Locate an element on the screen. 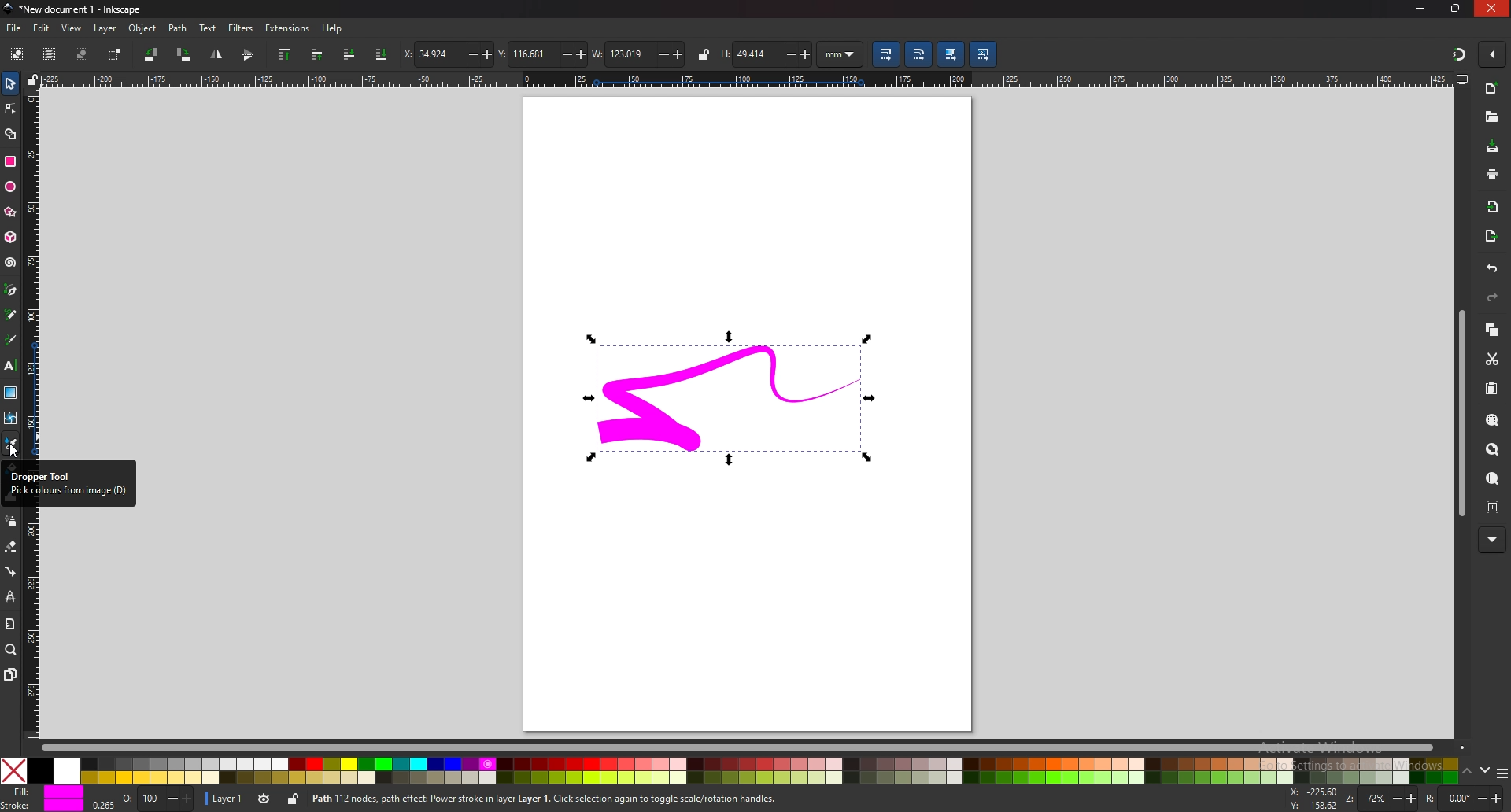 Image resolution: width=1511 pixels, height=812 pixels. eraser is located at coordinates (11, 547).